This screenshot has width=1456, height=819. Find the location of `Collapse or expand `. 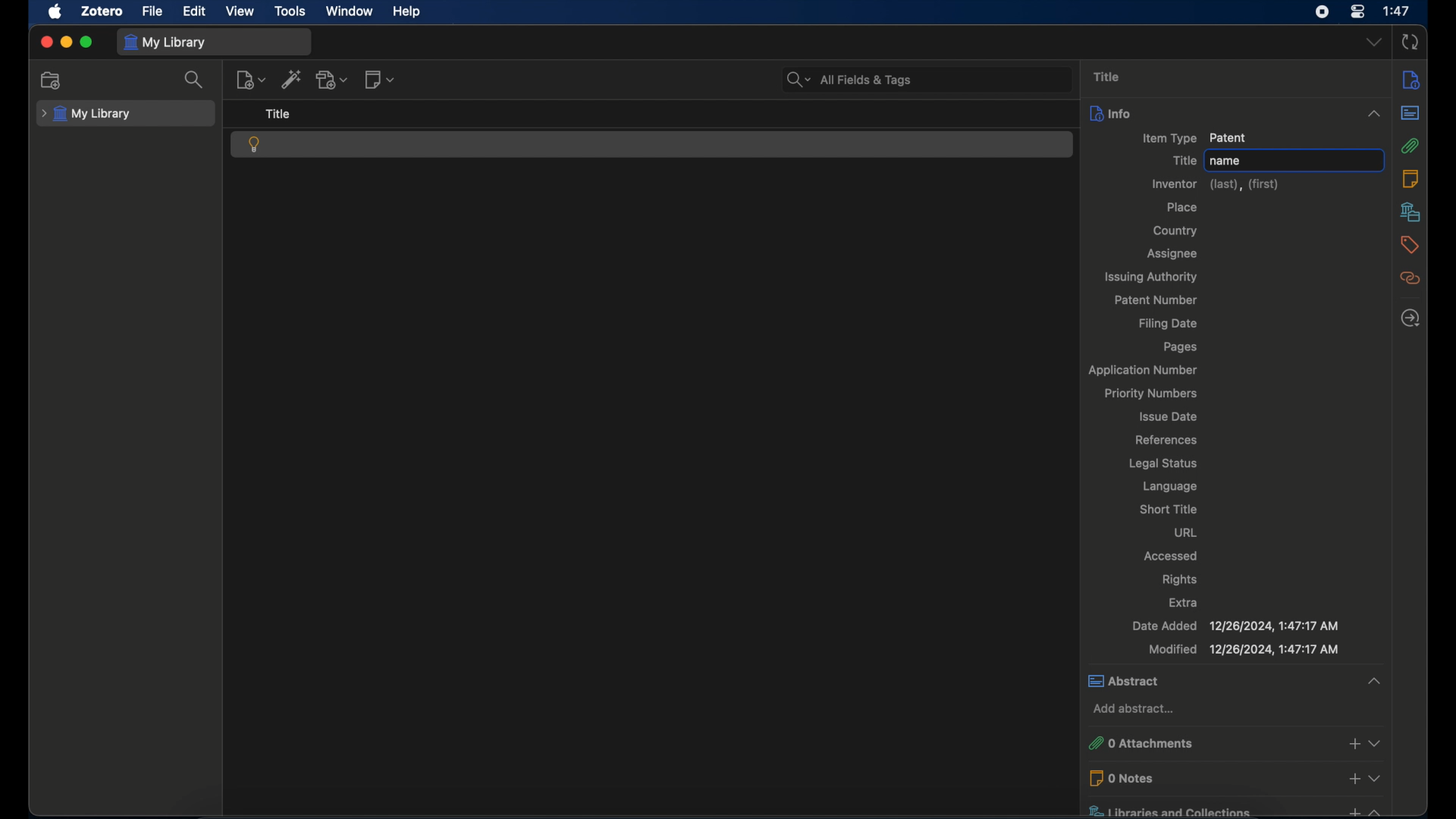

Collapse or expand  is located at coordinates (1373, 114).